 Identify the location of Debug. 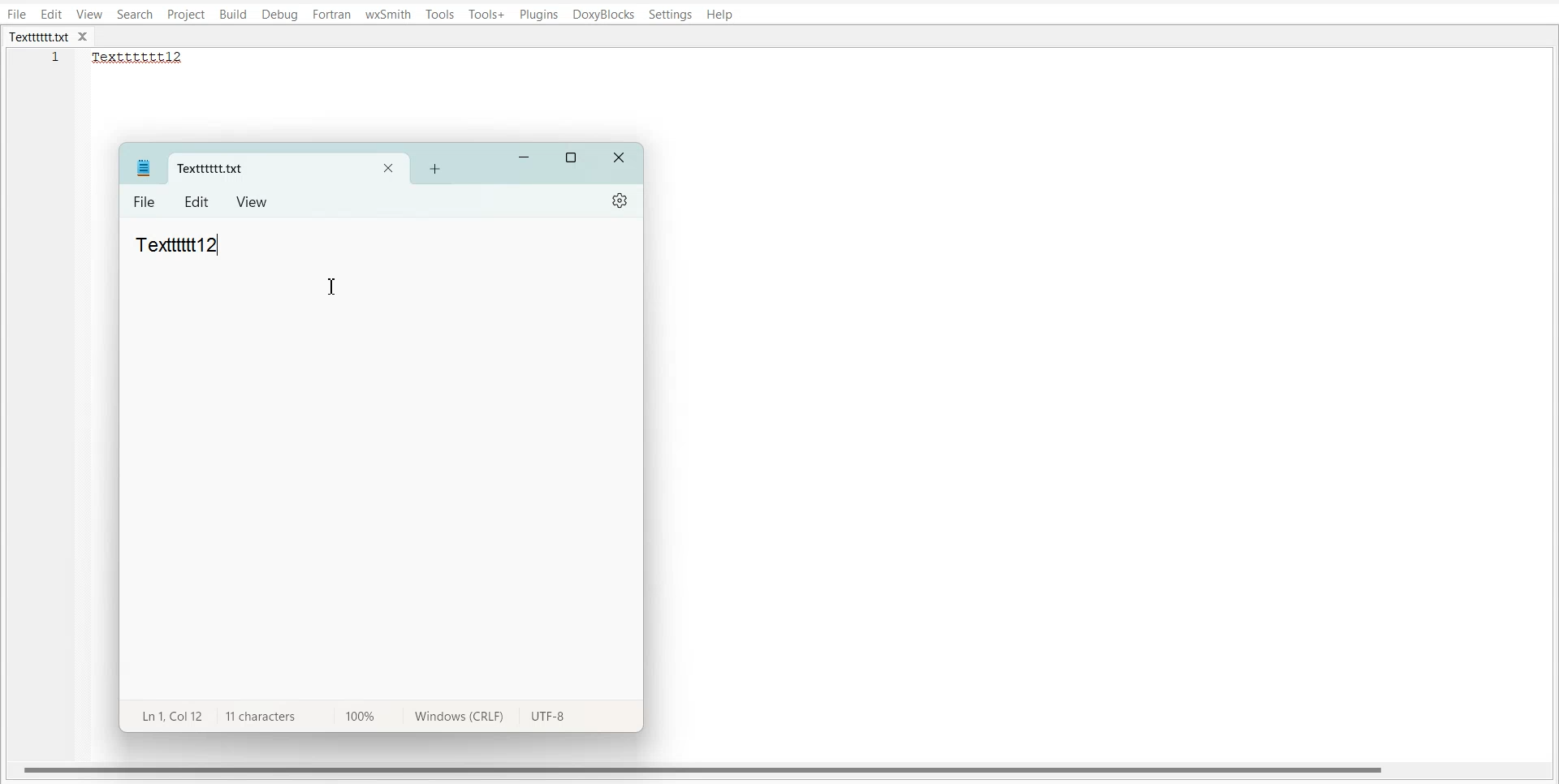
(279, 15).